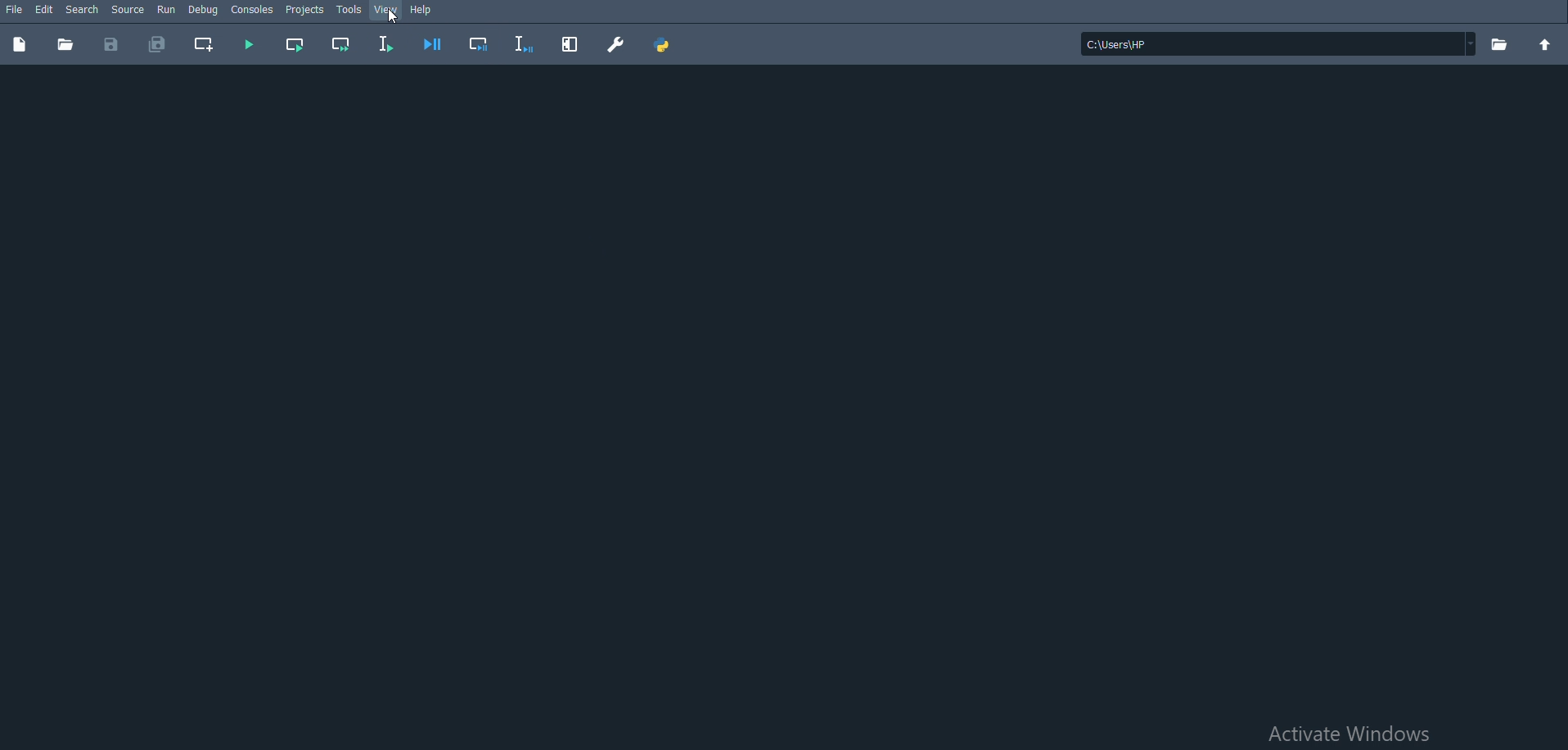  Describe the element at coordinates (201, 45) in the screenshot. I see `create new cell at the current line` at that location.